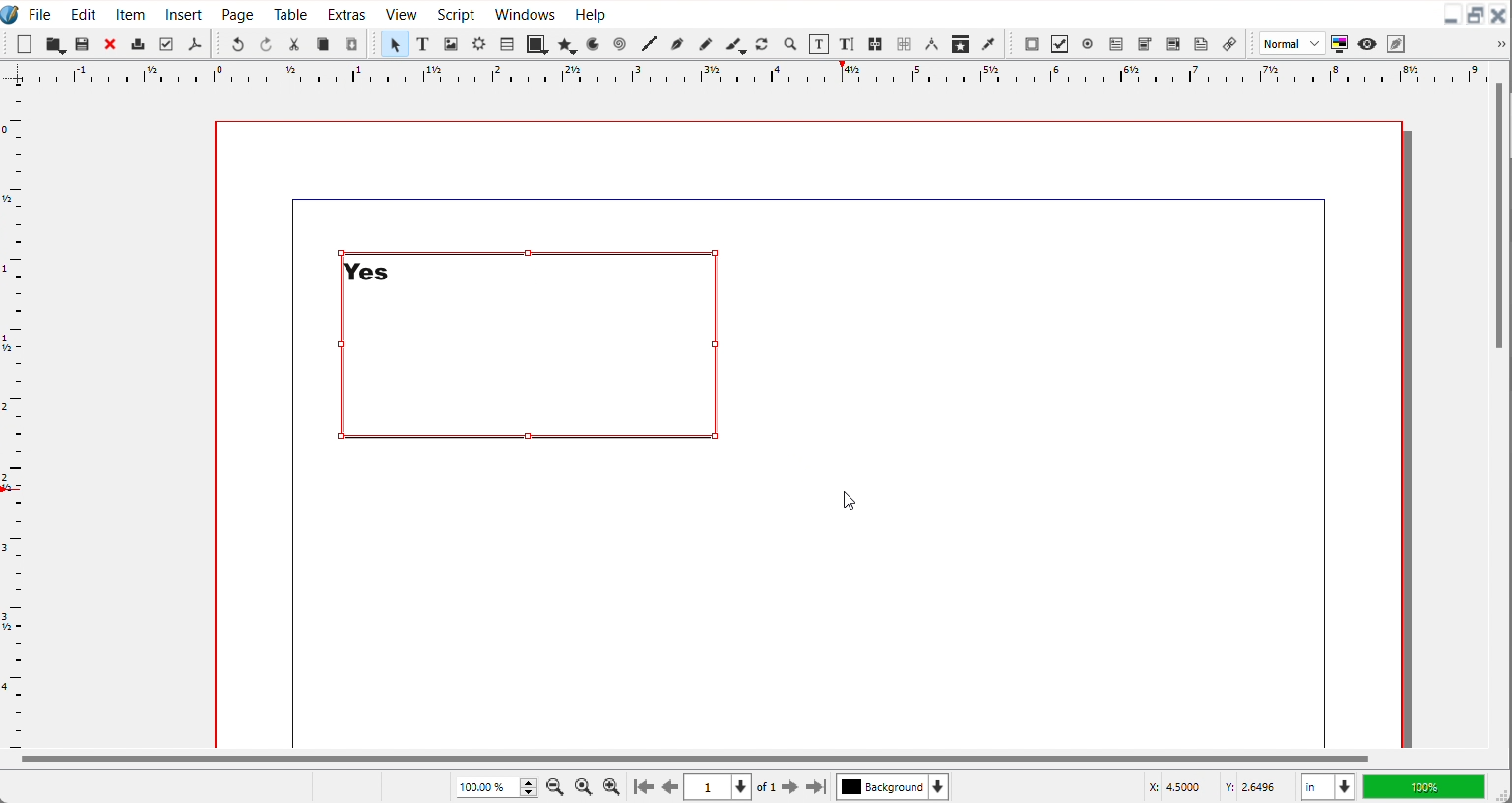  I want to click on Zoom to 100%, so click(585, 785).